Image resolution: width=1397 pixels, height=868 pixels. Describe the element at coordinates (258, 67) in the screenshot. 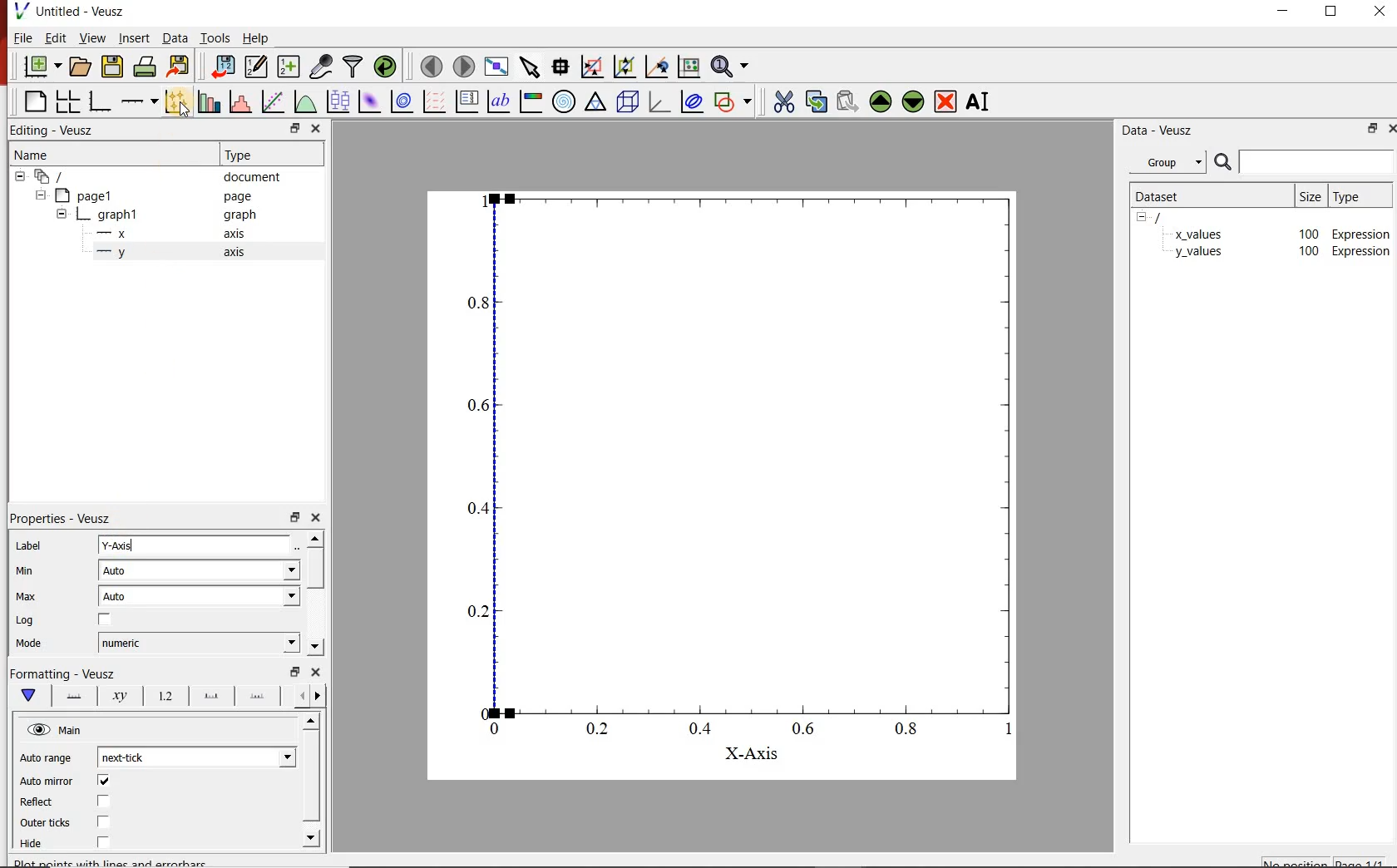

I see `edit and center new datasets` at that location.